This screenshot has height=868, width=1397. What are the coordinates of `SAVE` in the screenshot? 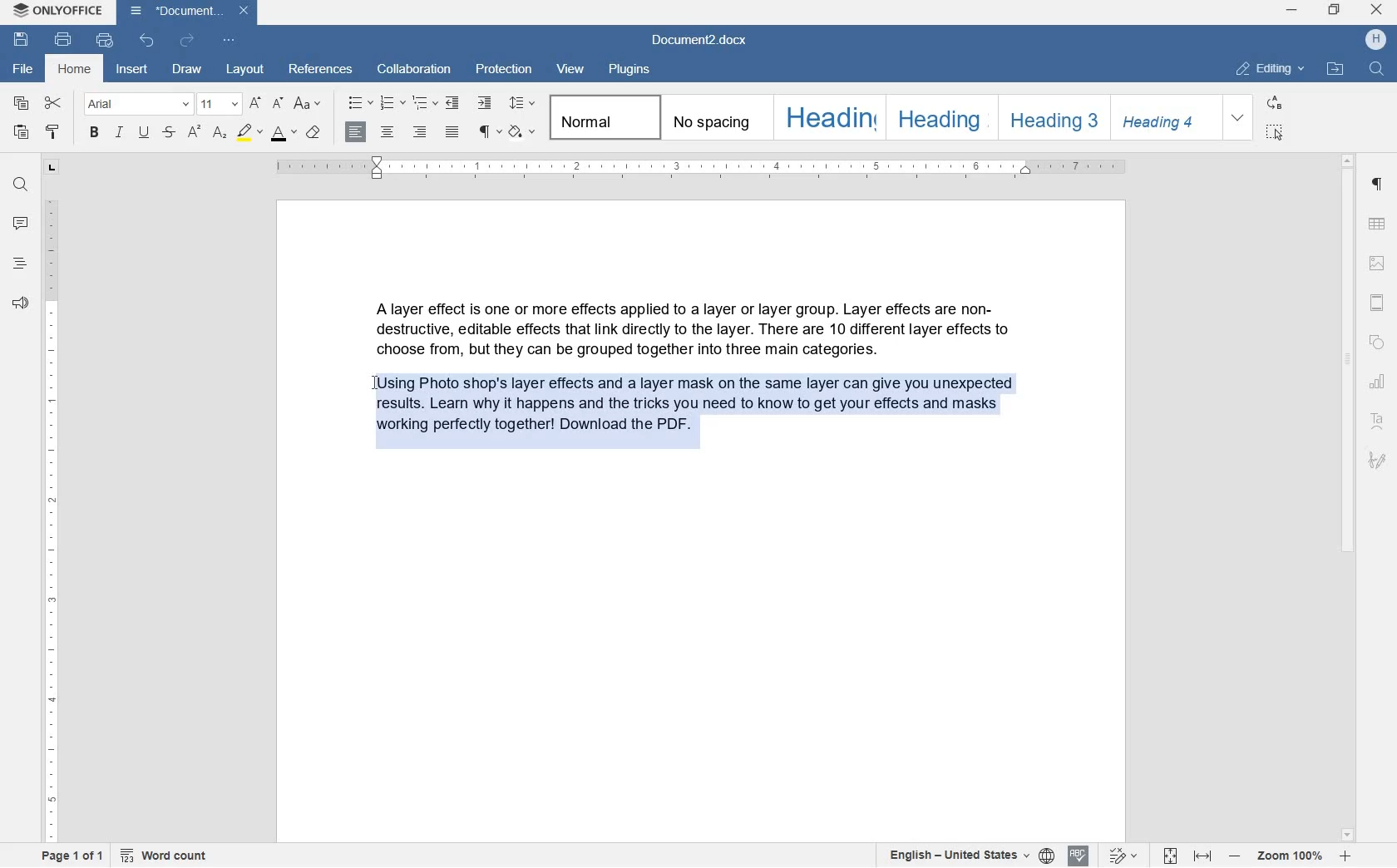 It's located at (23, 42).